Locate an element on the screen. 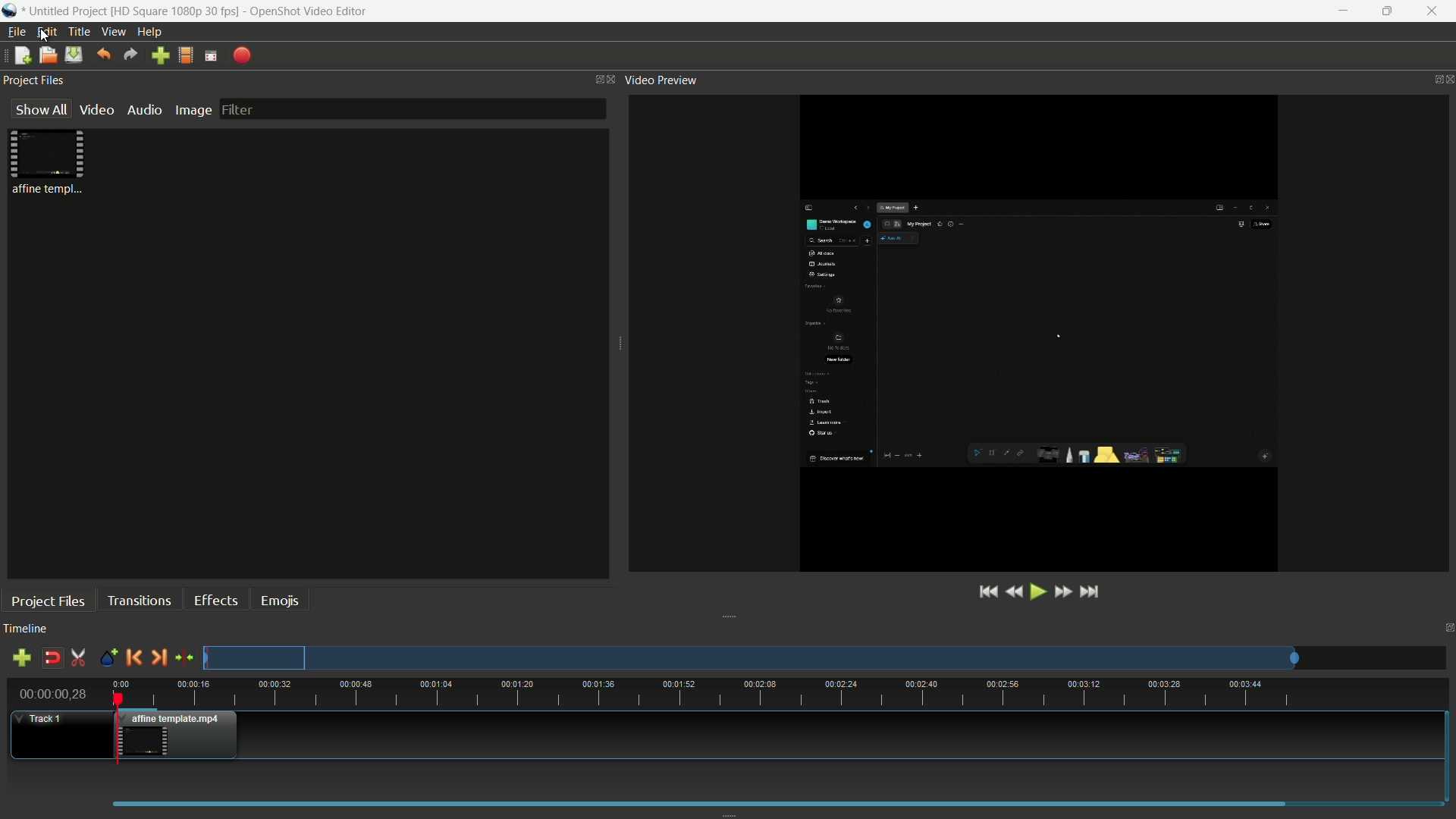 Image resolution: width=1456 pixels, height=819 pixels. add track is located at coordinates (21, 660).